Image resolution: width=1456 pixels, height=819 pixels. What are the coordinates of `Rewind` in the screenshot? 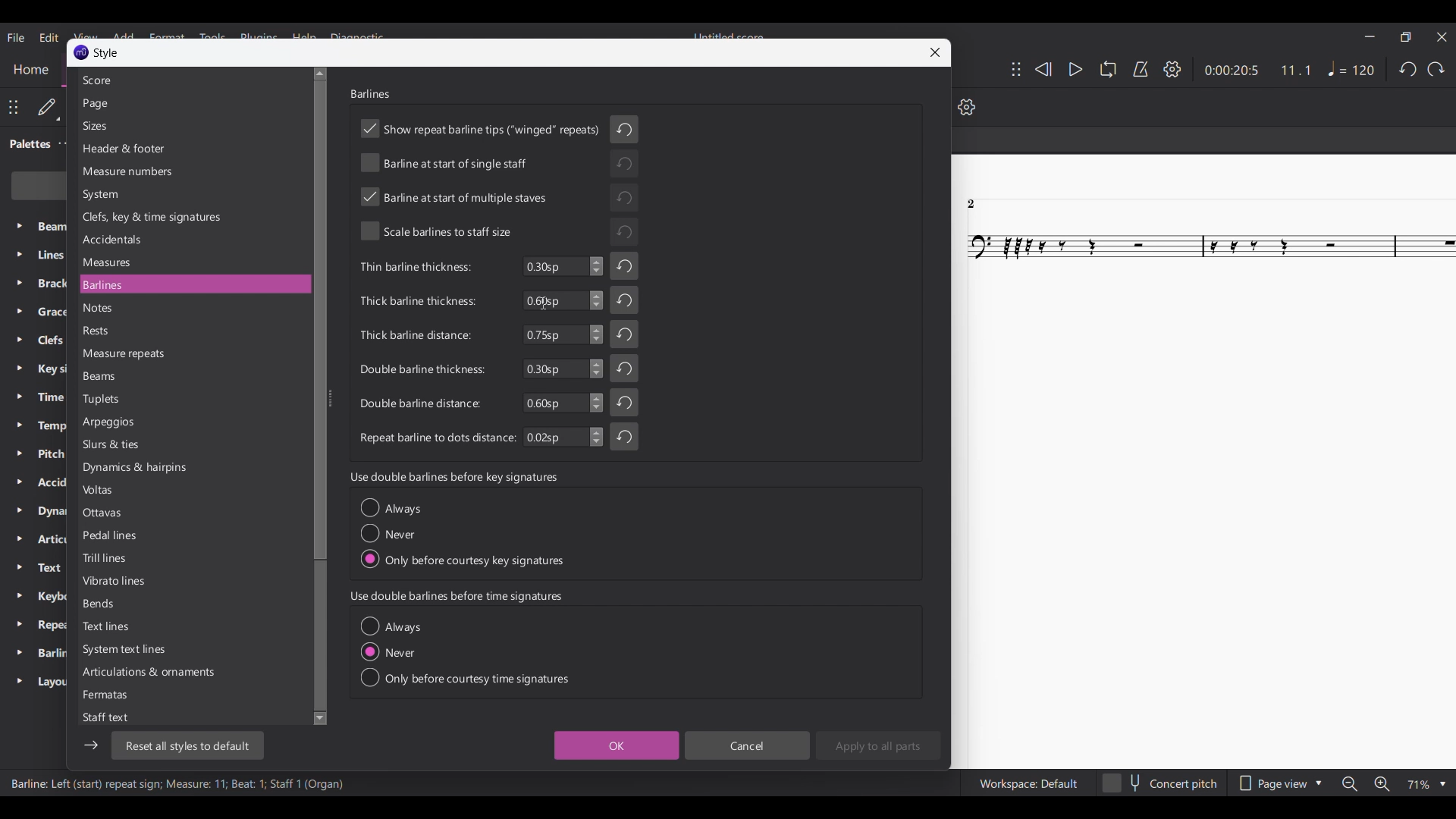 It's located at (1043, 69).